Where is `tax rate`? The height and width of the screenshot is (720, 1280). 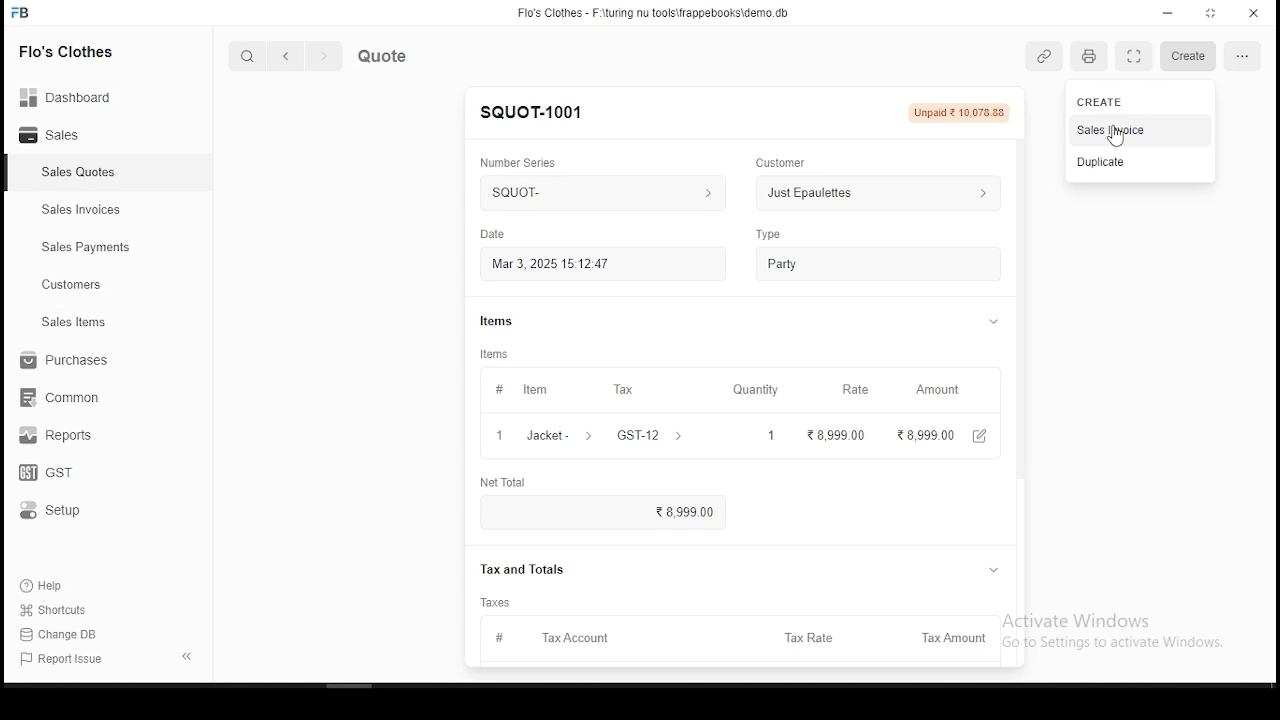 tax rate is located at coordinates (811, 637).